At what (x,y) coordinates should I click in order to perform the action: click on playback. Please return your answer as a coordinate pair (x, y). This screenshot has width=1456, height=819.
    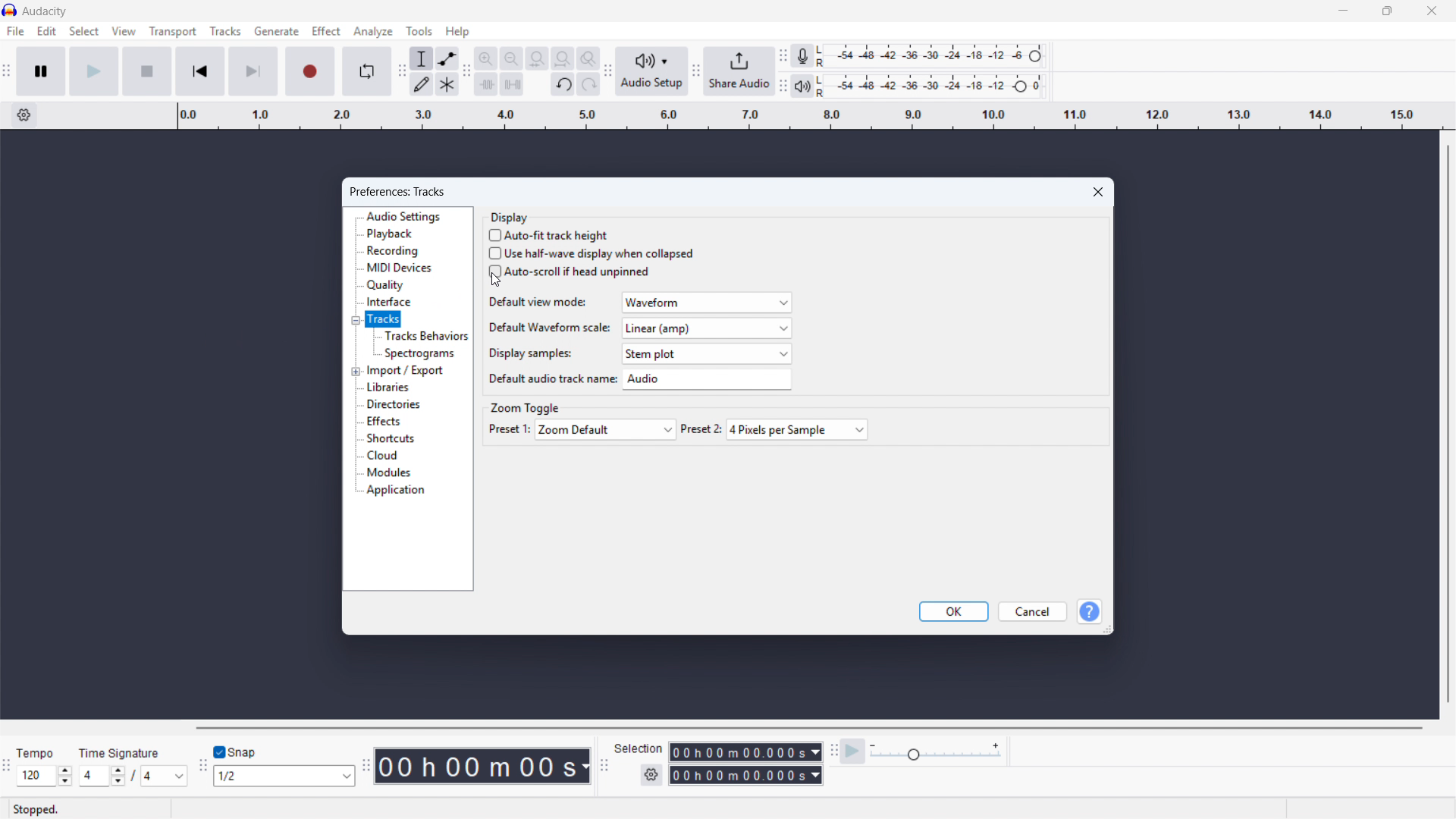
    Looking at the image, I should click on (391, 234).